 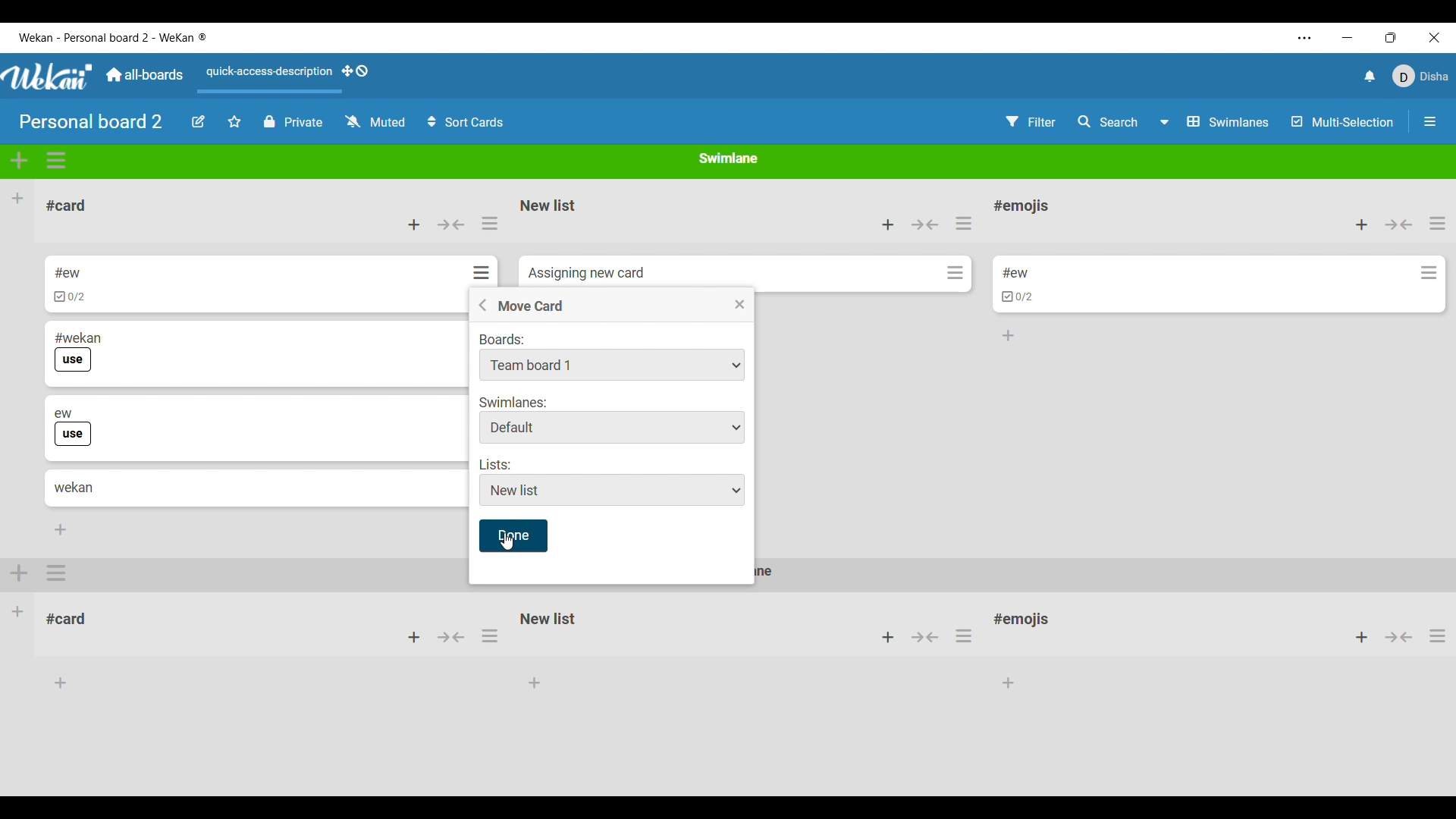 What do you see at coordinates (17, 198) in the screenshot?
I see `Add list` at bounding box center [17, 198].